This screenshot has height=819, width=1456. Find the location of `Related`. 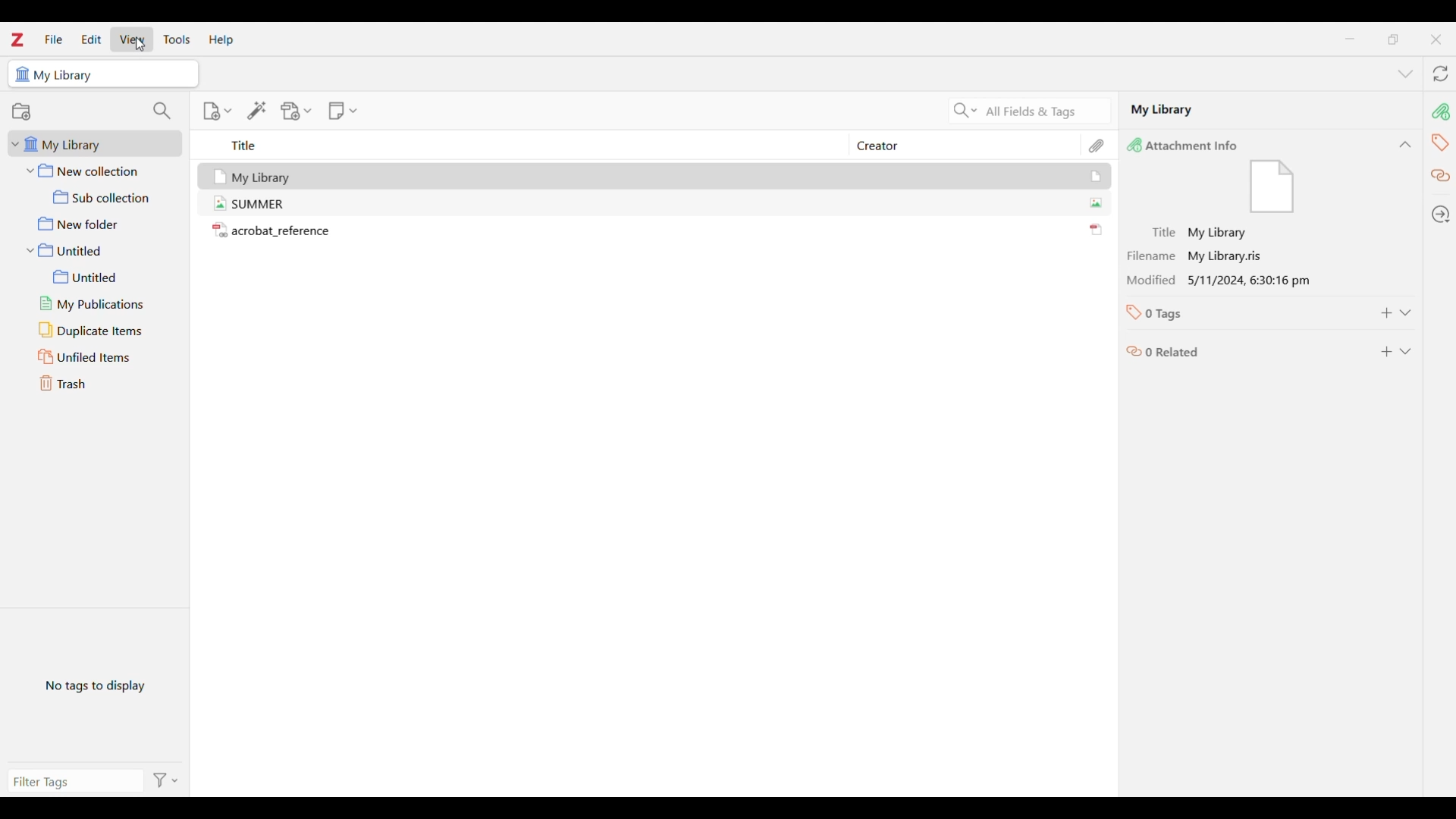

Related is located at coordinates (1440, 176).